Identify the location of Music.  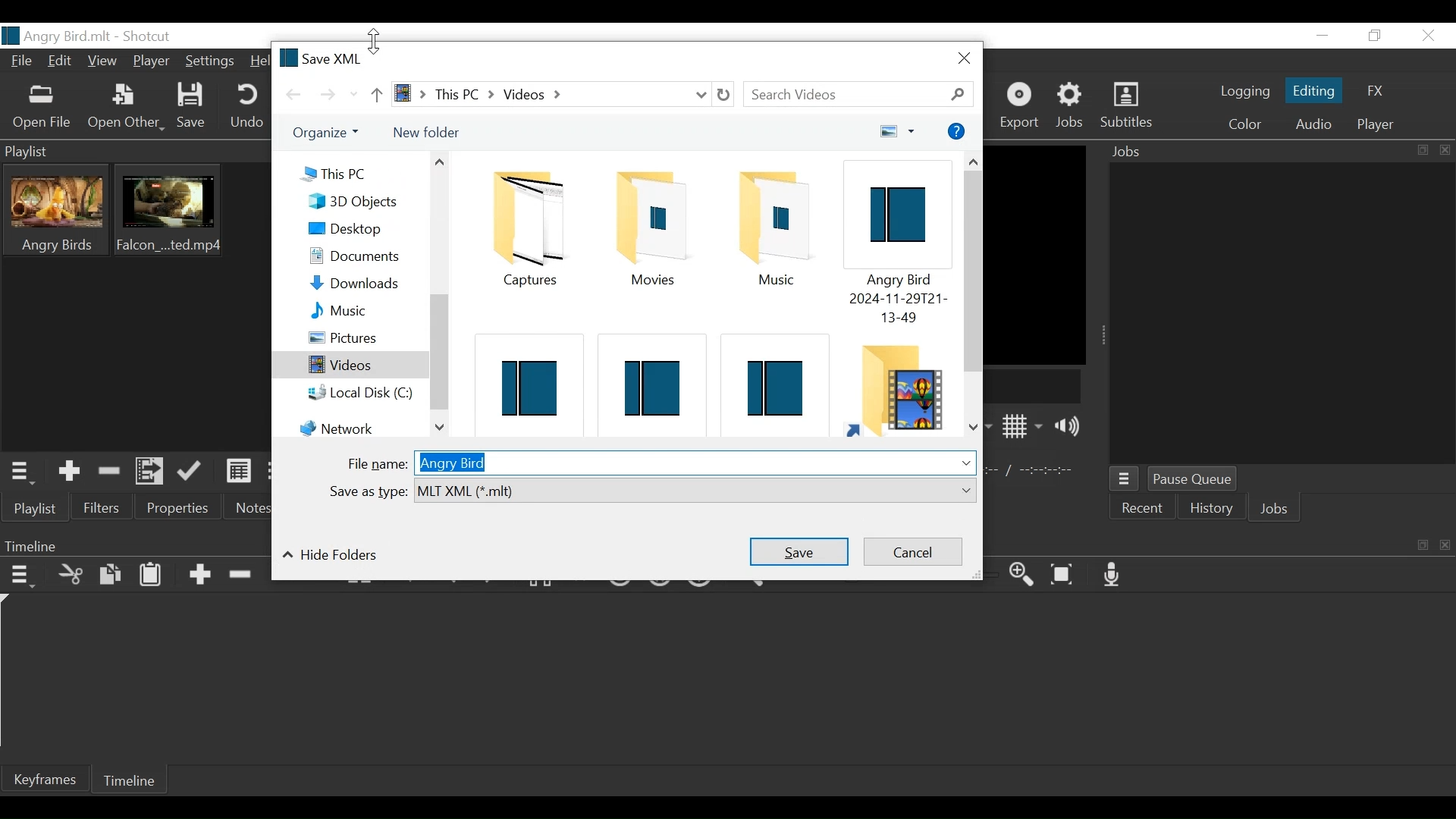
(366, 310).